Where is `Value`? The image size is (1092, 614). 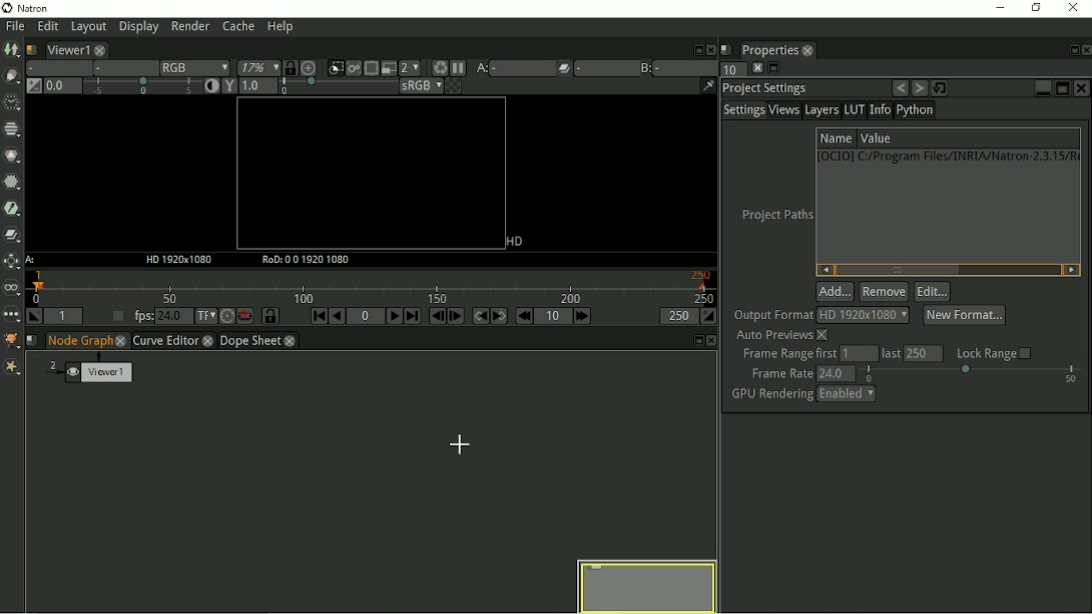
Value is located at coordinates (876, 139).